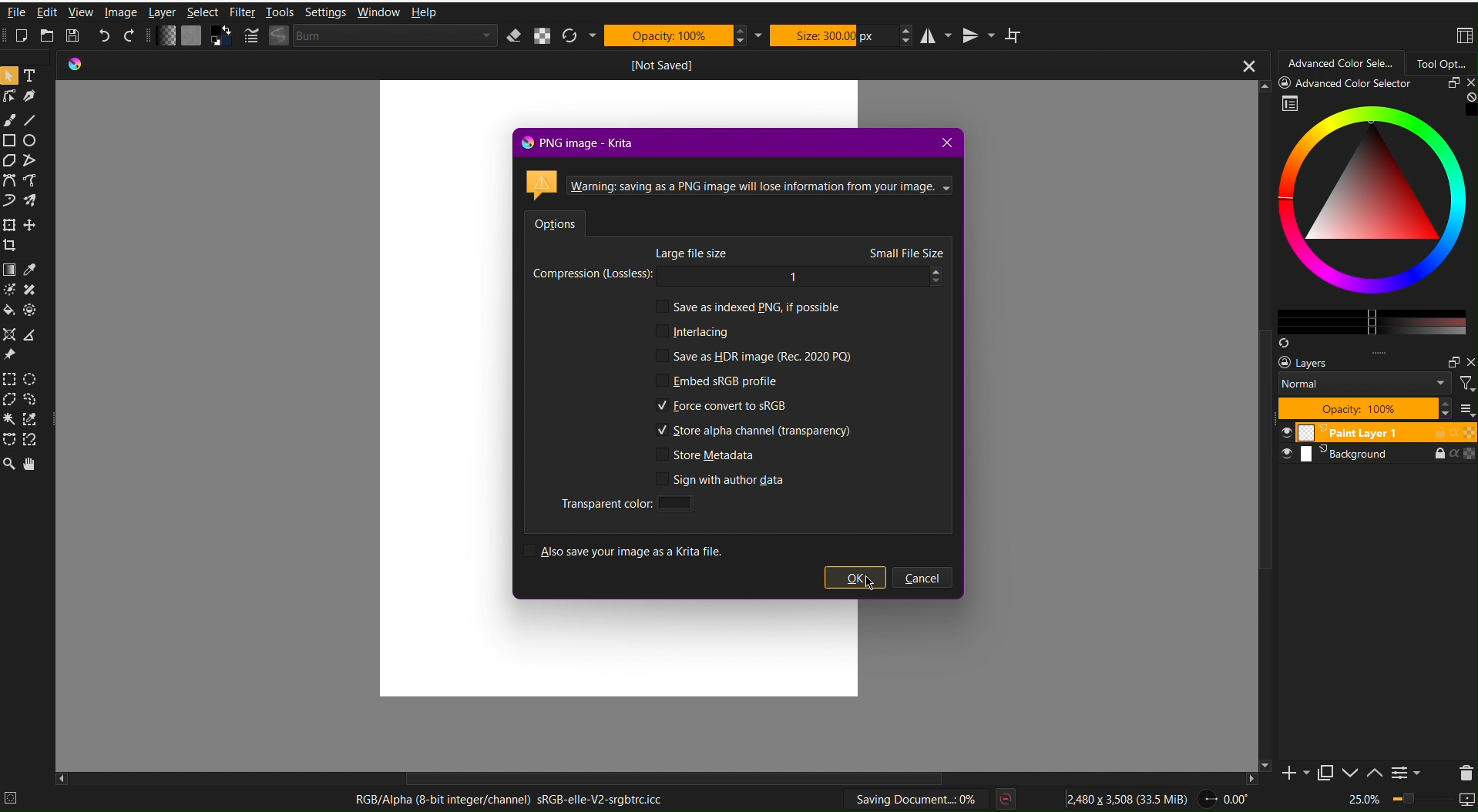 Image resolution: width=1478 pixels, height=812 pixels. Describe the element at coordinates (1015, 35) in the screenshot. I see `Wraparound` at that location.